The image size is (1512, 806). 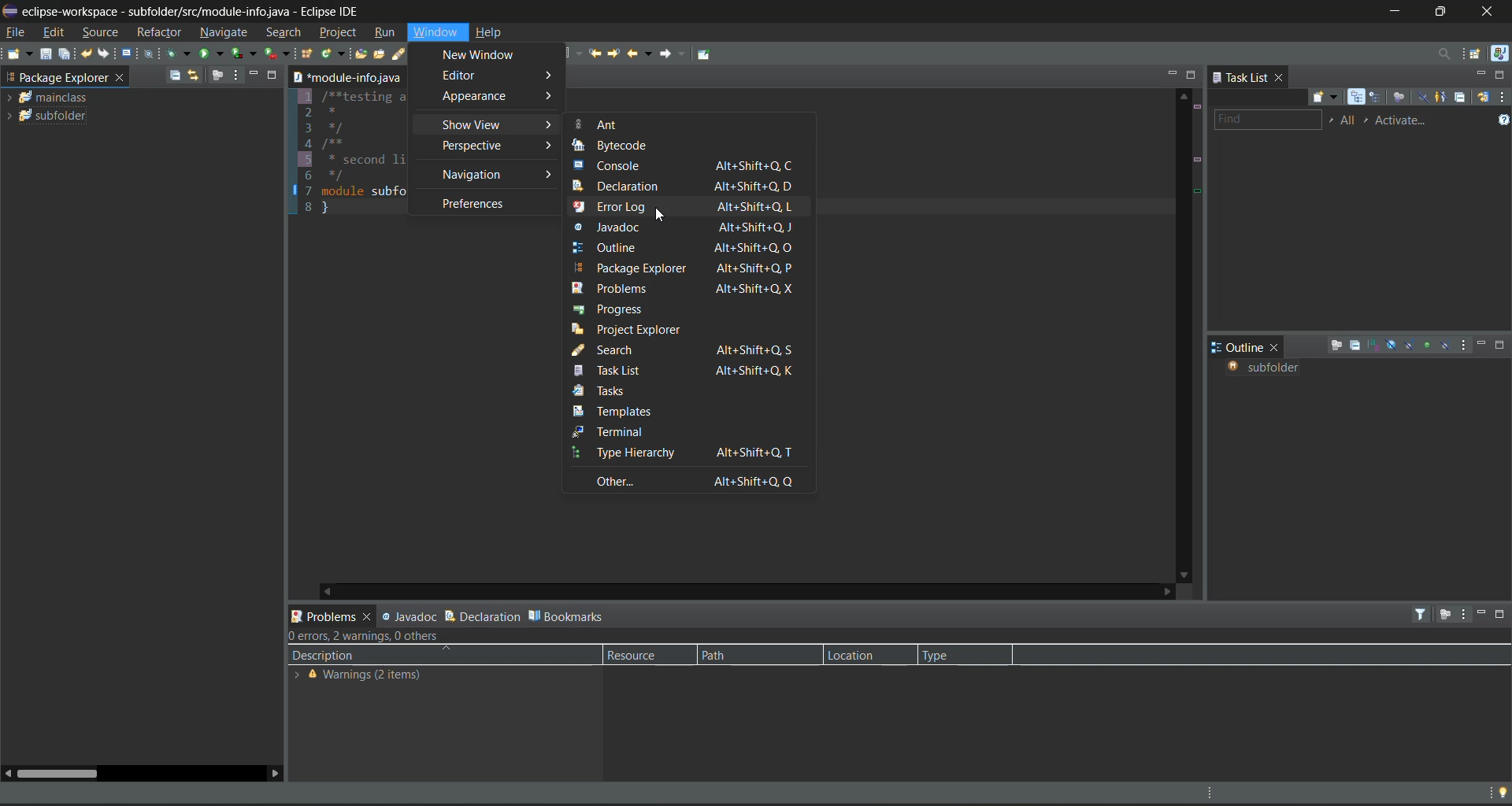 I want to click on horizontal scroll bar, so click(x=57, y=773).